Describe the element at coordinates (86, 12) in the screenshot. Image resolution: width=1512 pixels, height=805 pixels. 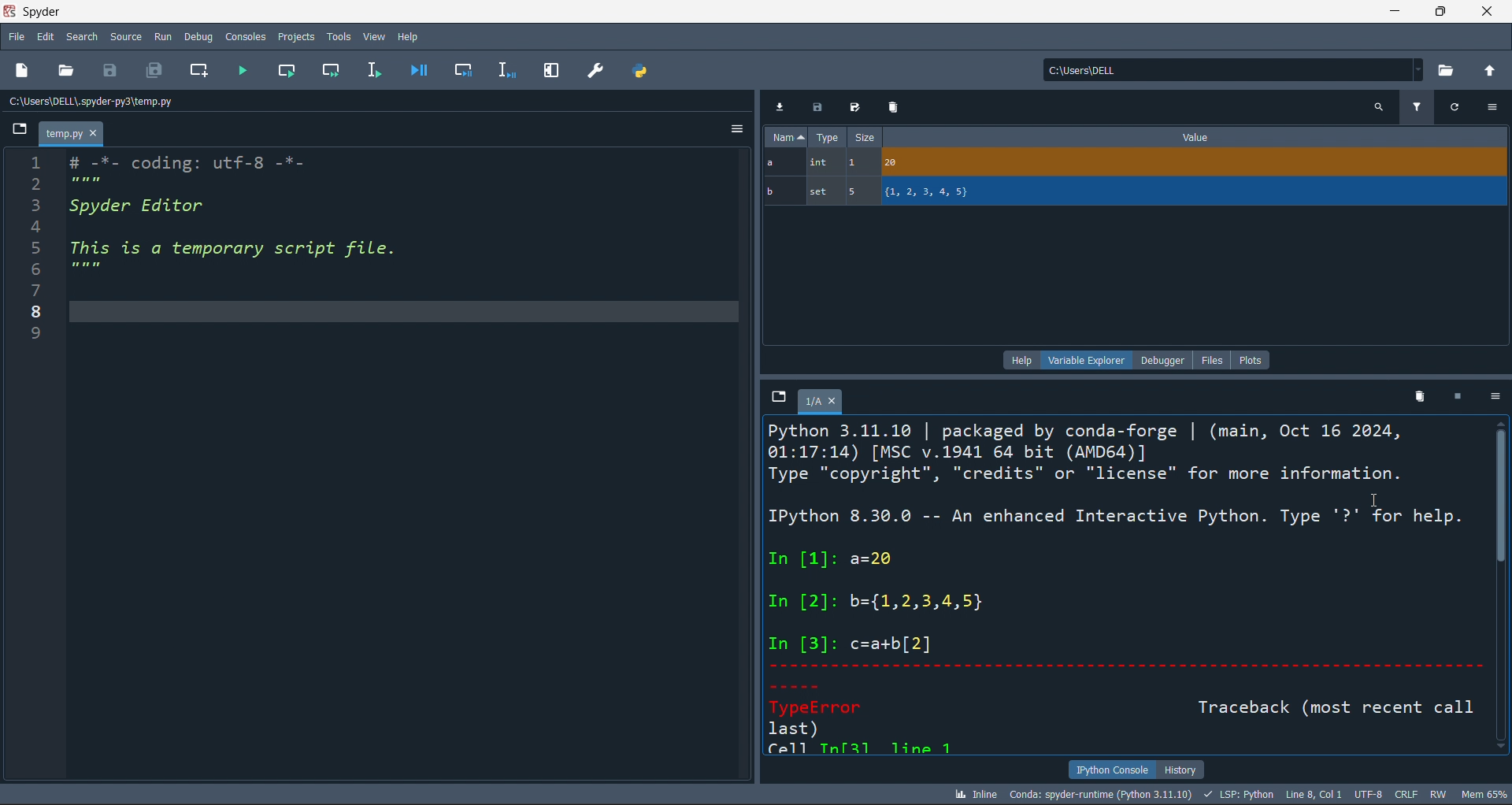
I see `Spyder` at that location.